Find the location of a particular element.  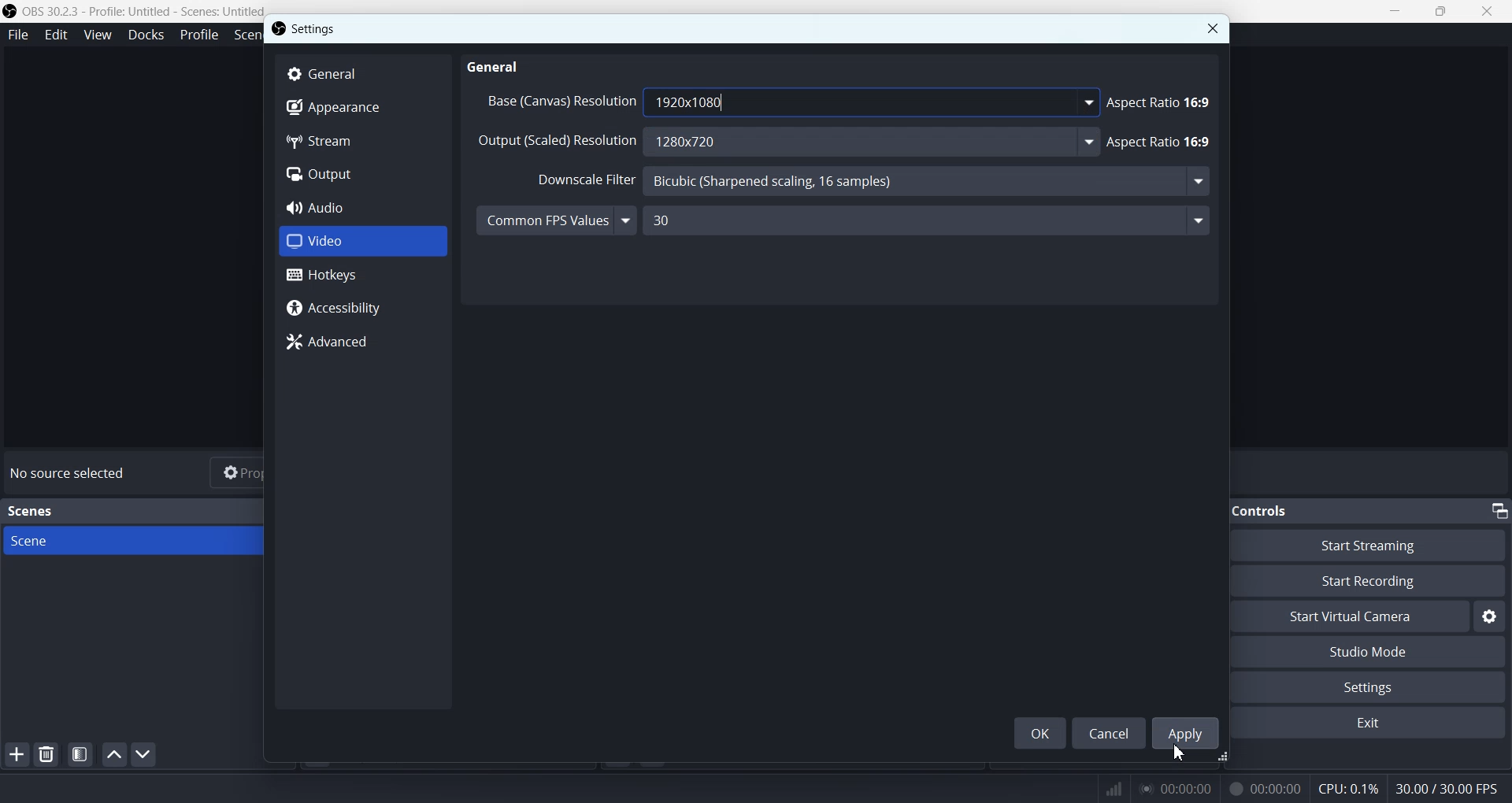

Base (Canvas) Resolution is located at coordinates (558, 101).